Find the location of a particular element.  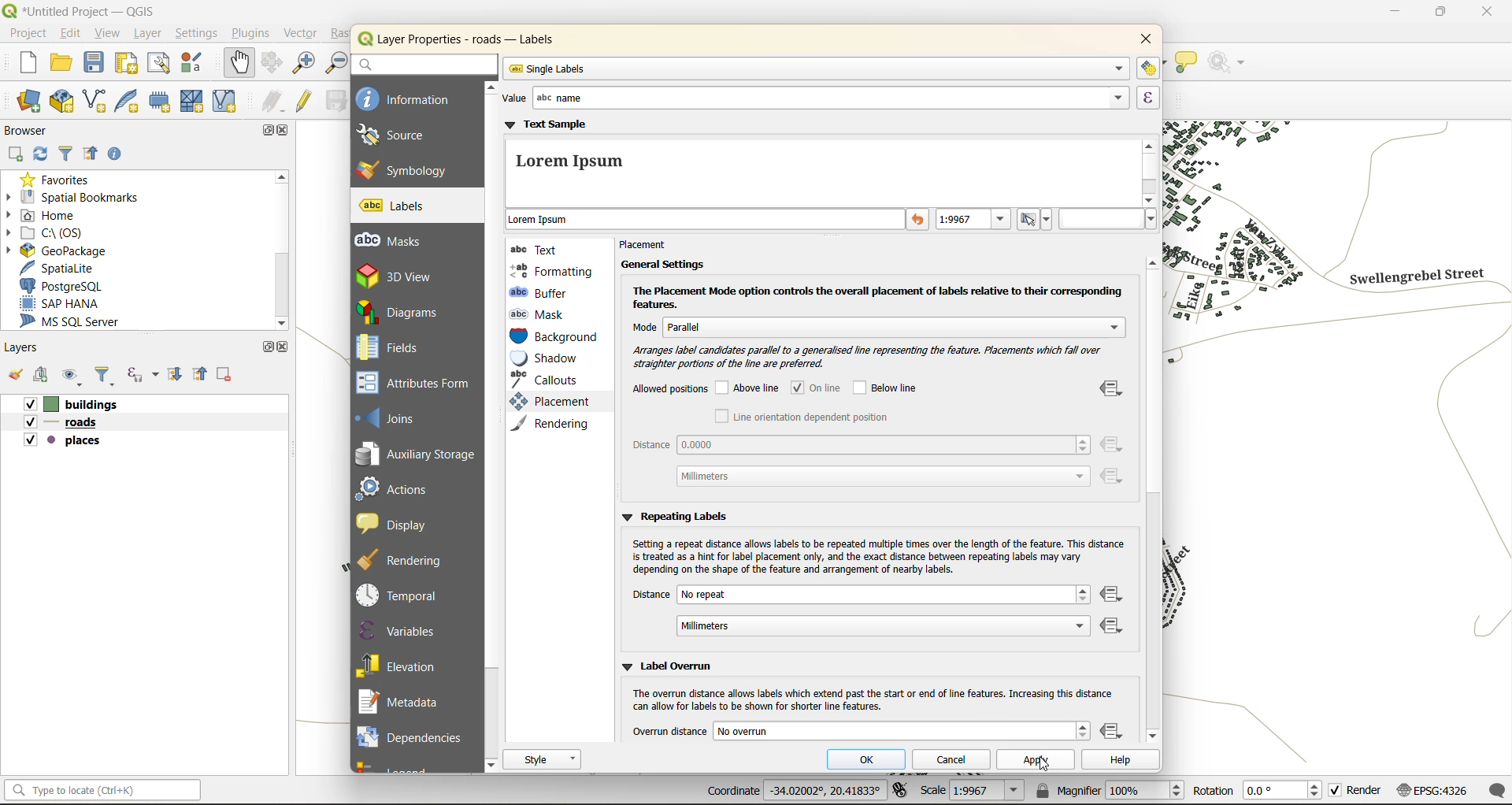

style manager is located at coordinates (198, 65).